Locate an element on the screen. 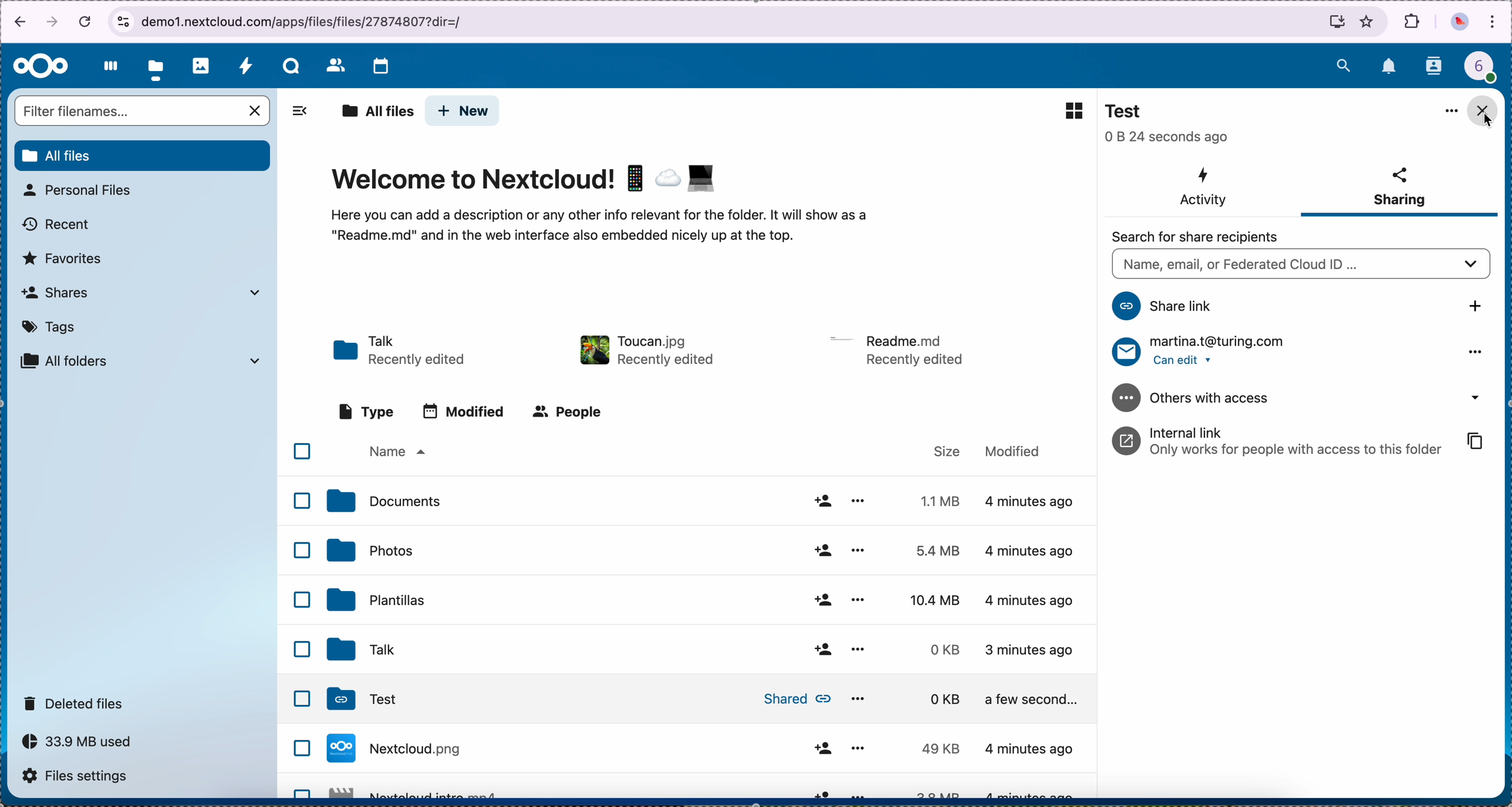 This screenshot has height=807, width=1512. calendar is located at coordinates (380, 67).